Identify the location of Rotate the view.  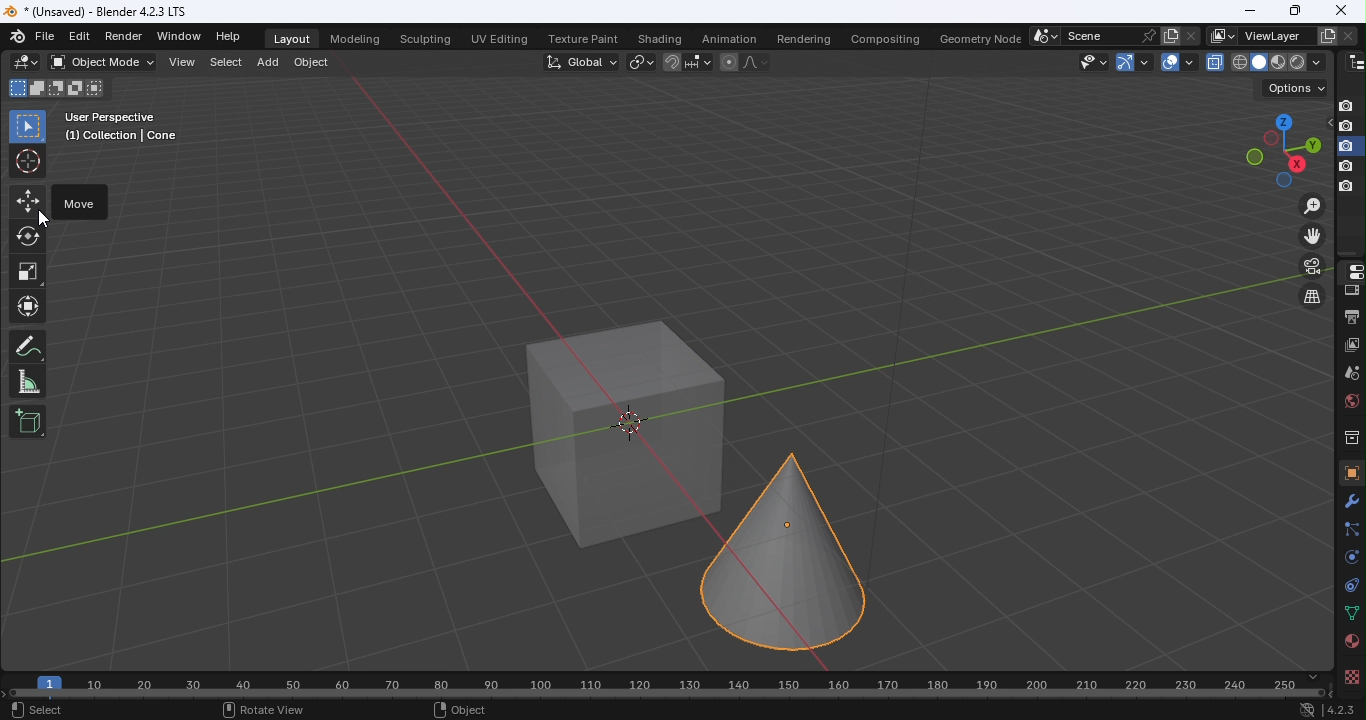
(1296, 164).